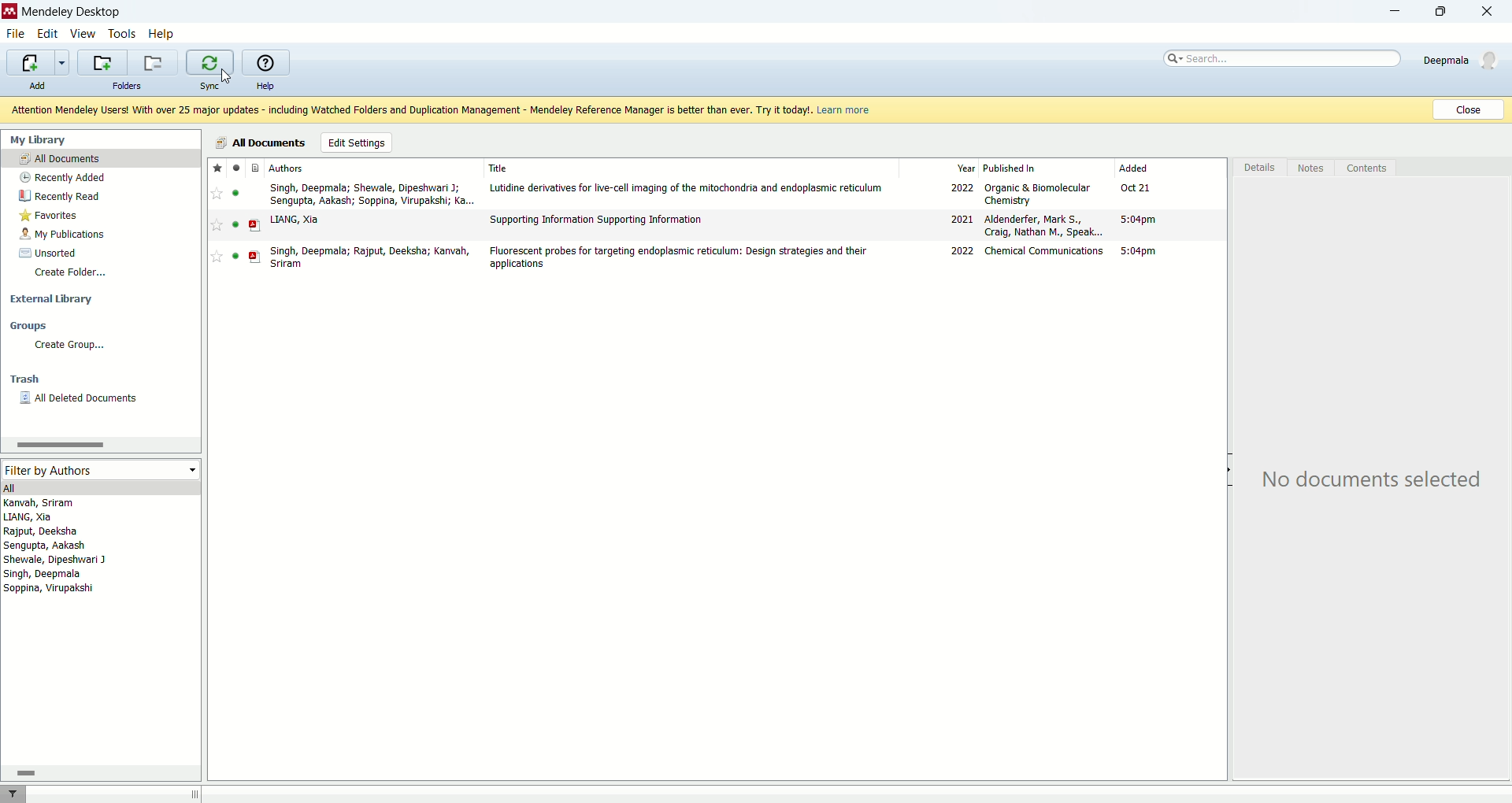 The image size is (1512, 803). I want to click on authors, so click(374, 168).